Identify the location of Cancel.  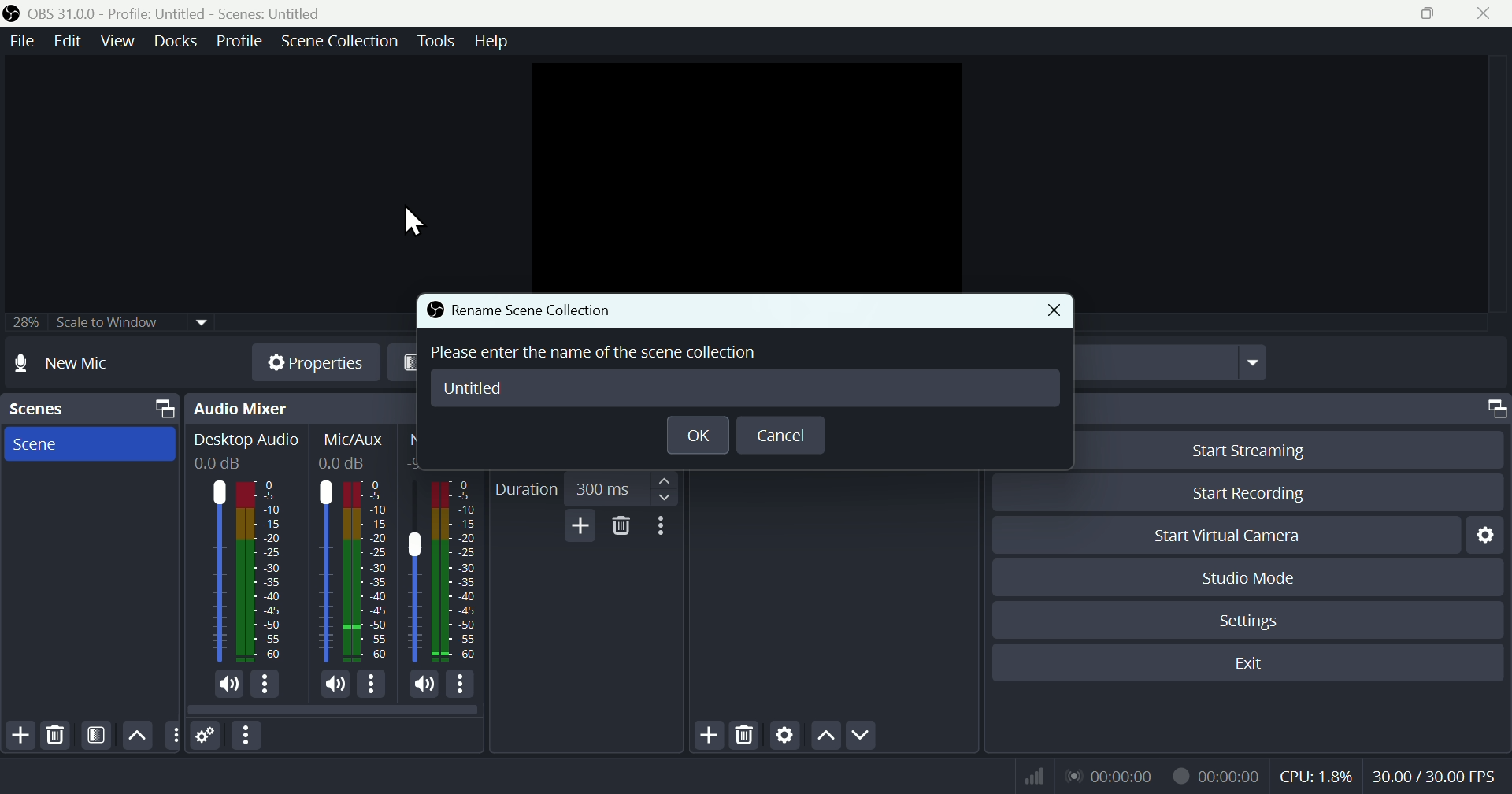
(784, 436).